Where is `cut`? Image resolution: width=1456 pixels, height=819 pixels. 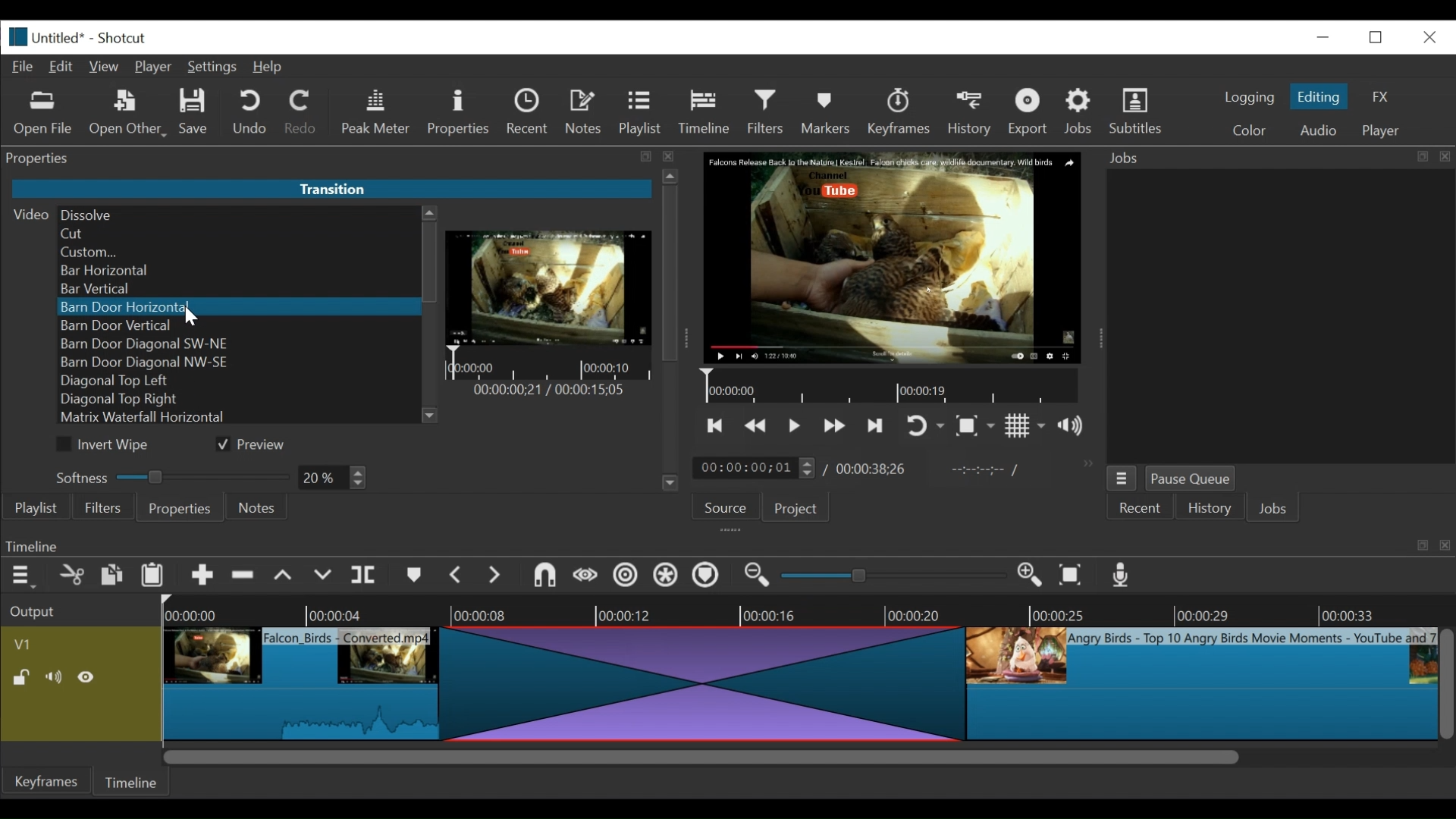 cut is located at coordinates (71, 576).